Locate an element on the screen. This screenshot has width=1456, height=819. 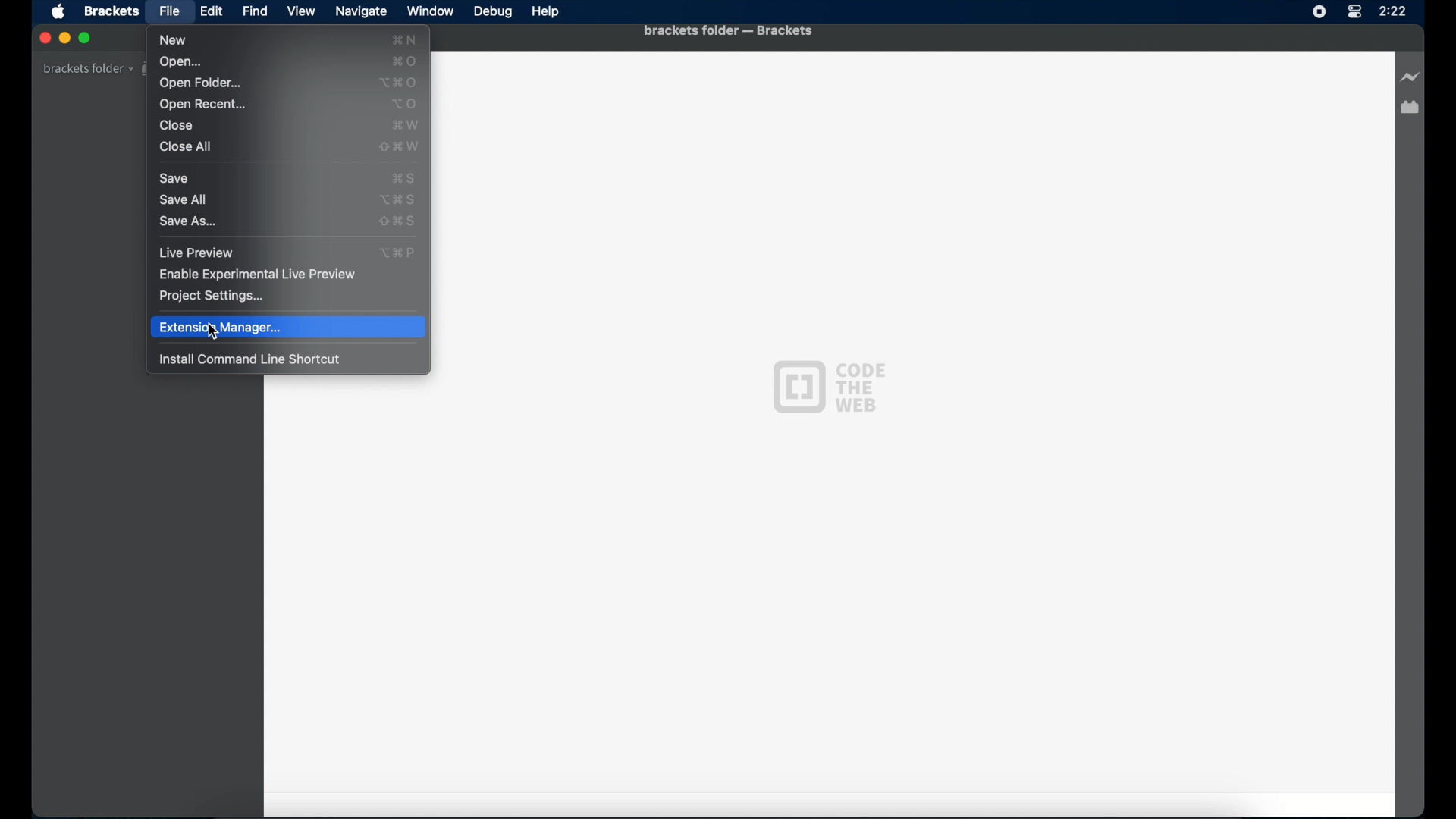
maximize is located at coordinates (86, 39).